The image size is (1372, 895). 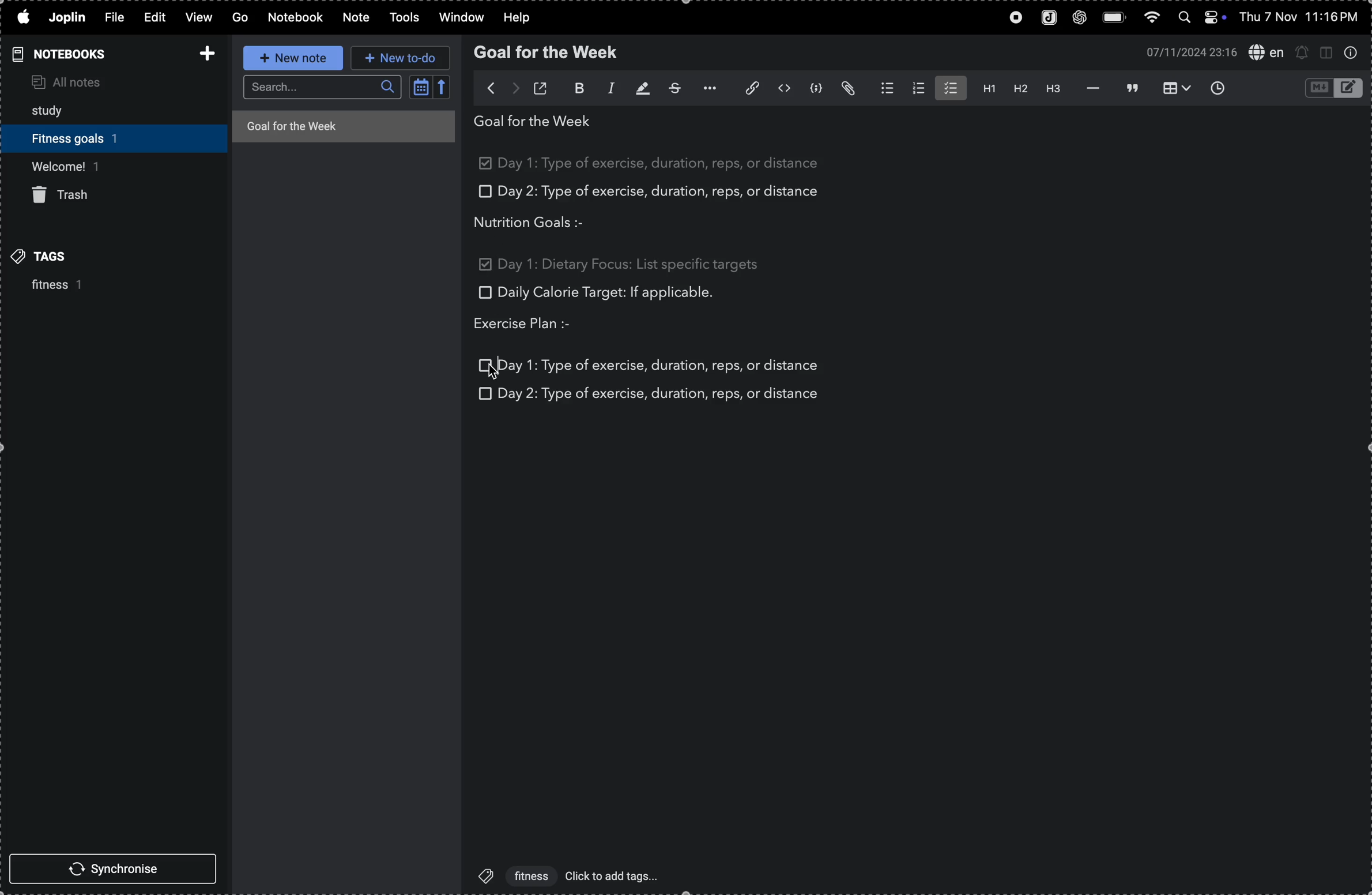 I want to click on 07/11/2024, so click(x=1187, y=52).